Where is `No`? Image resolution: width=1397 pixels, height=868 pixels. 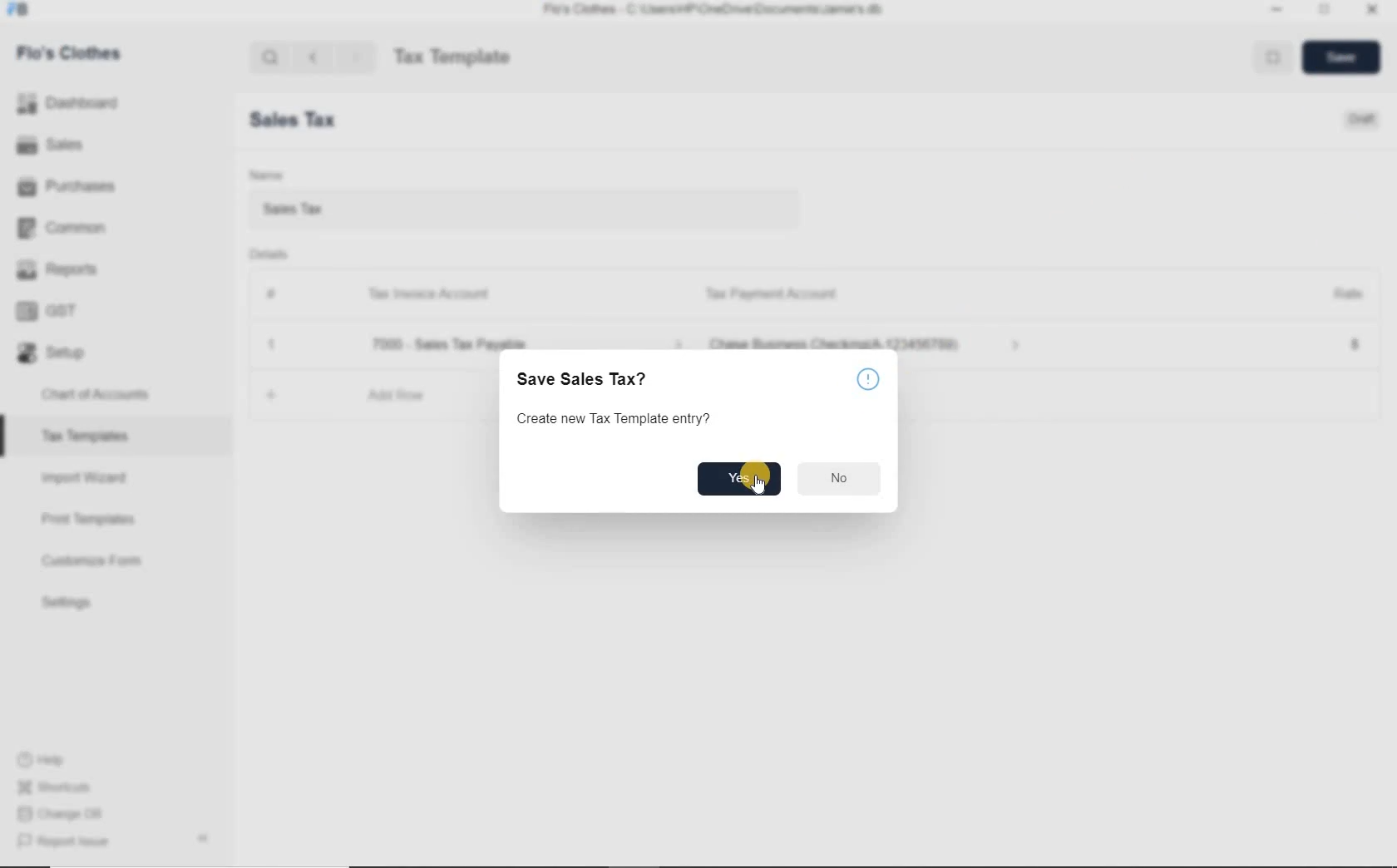
No is located at coordinates (840, 478).